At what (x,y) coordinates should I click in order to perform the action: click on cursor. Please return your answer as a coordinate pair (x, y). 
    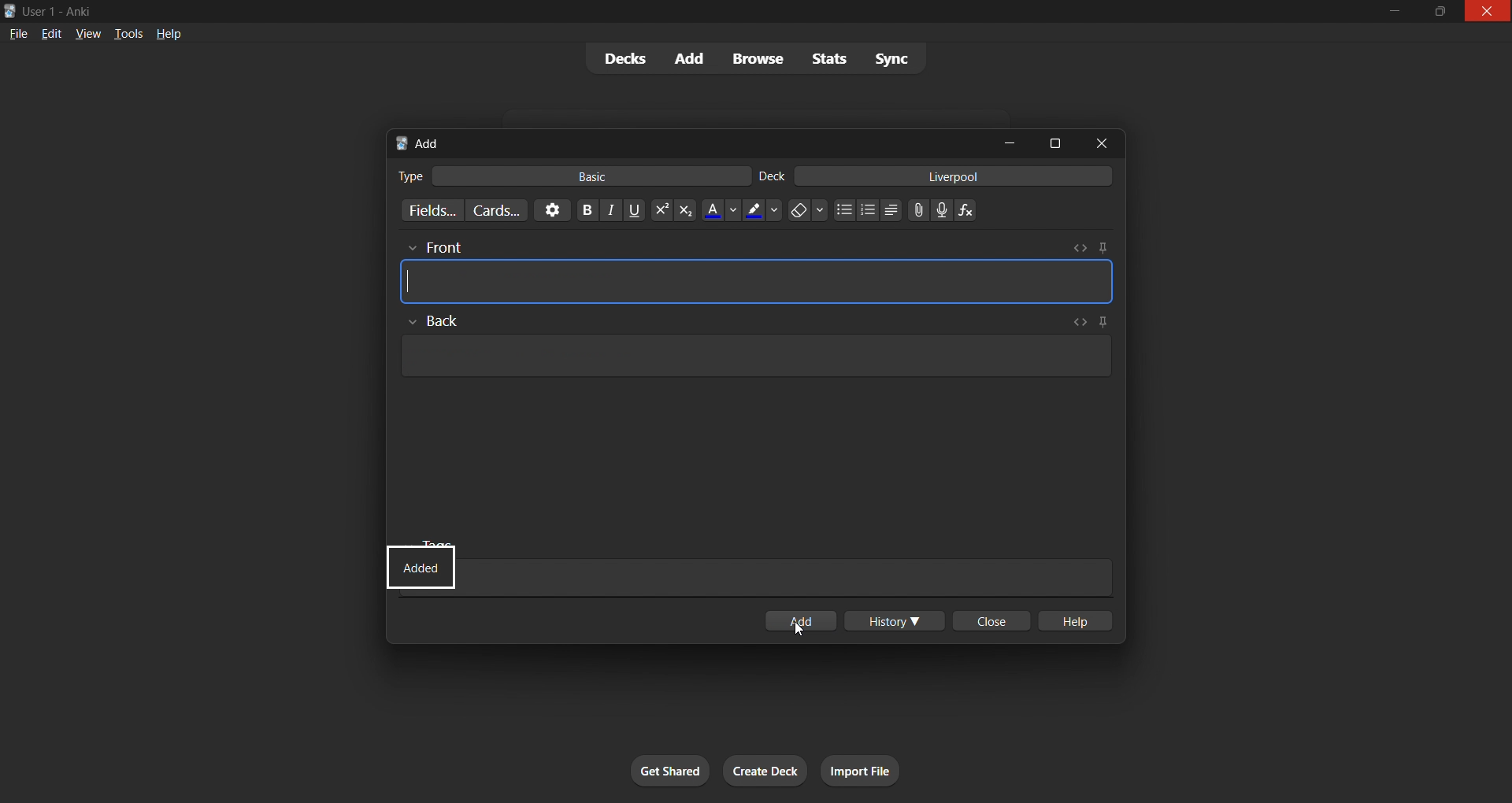
    Looking at the image, I should click on (800, 626).